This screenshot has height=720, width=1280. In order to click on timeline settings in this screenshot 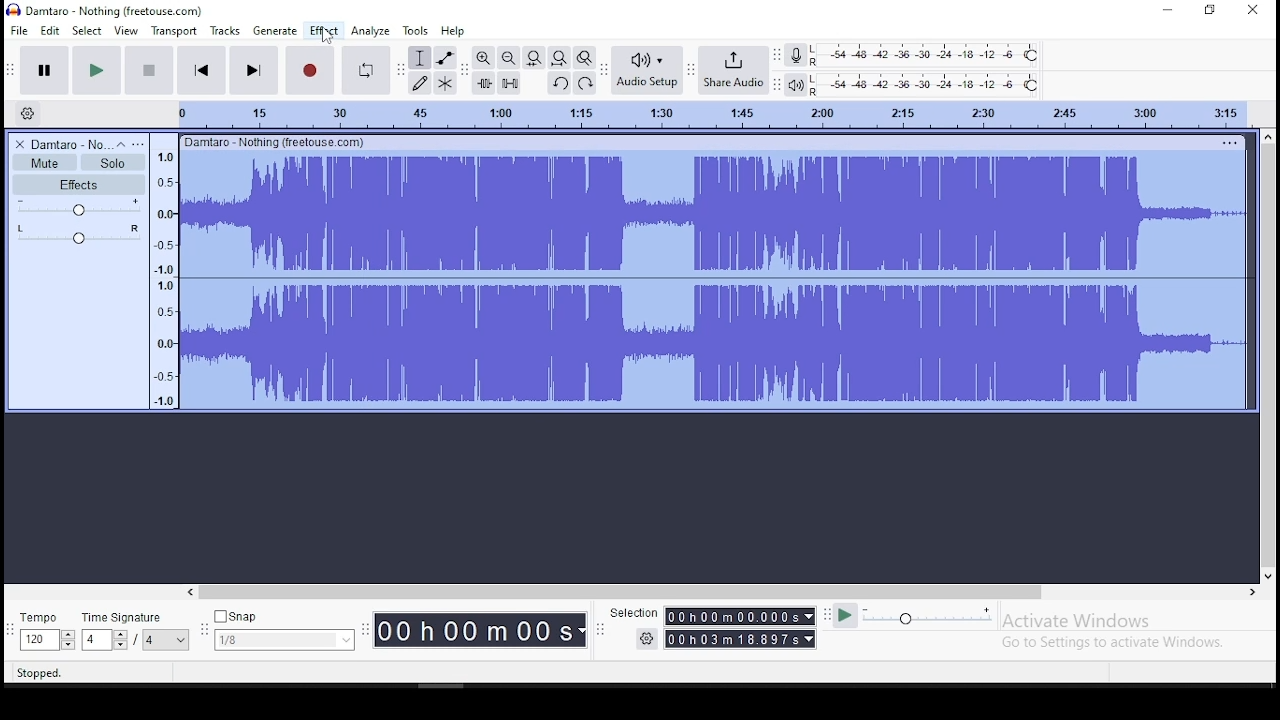, I will do `click(27, 111)`.